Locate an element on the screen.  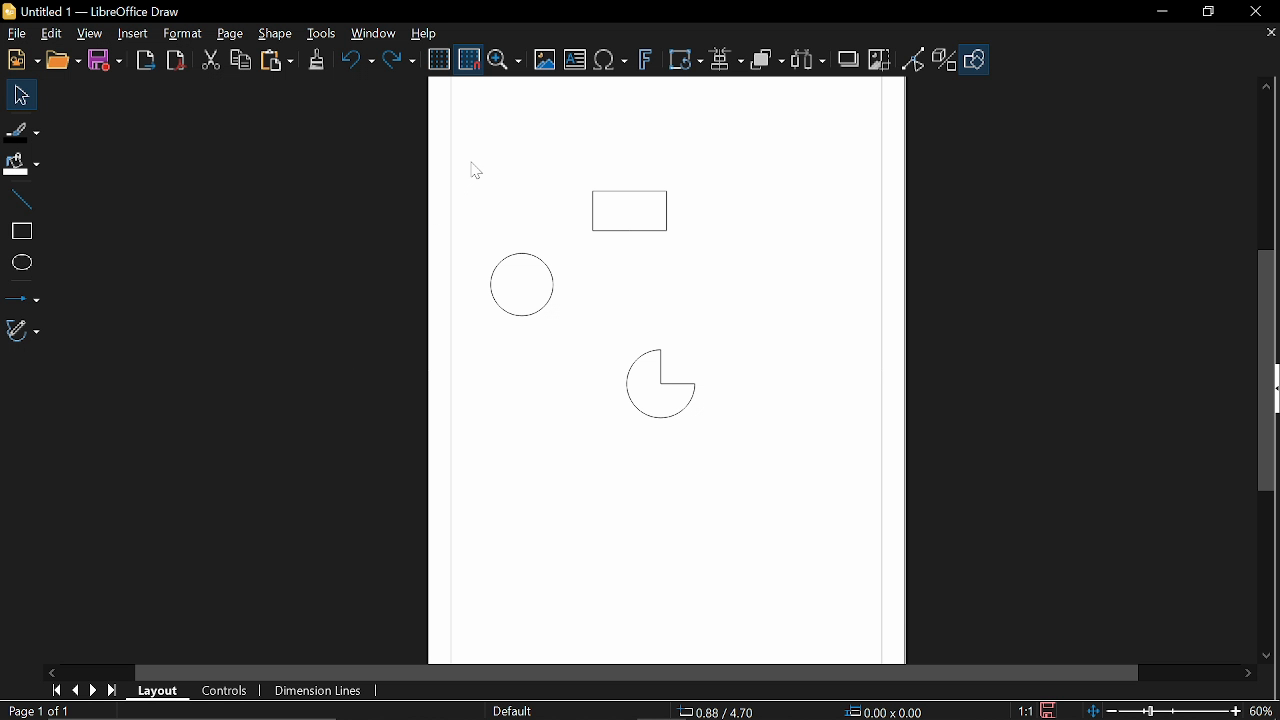
Restore down is located at coordinates (1208, 13).